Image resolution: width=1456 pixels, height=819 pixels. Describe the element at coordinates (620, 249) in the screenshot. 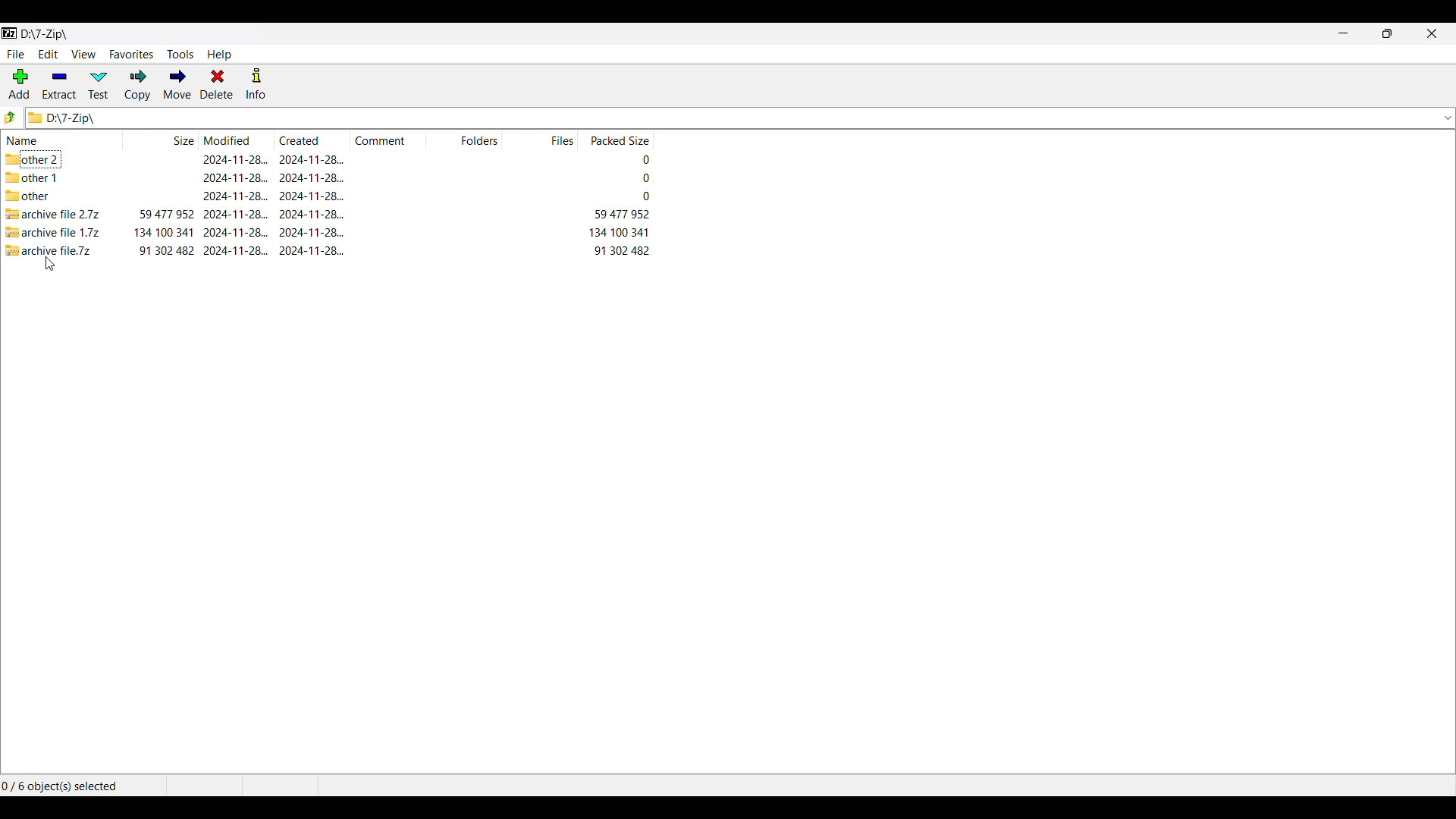

I see `packed size` at that location.